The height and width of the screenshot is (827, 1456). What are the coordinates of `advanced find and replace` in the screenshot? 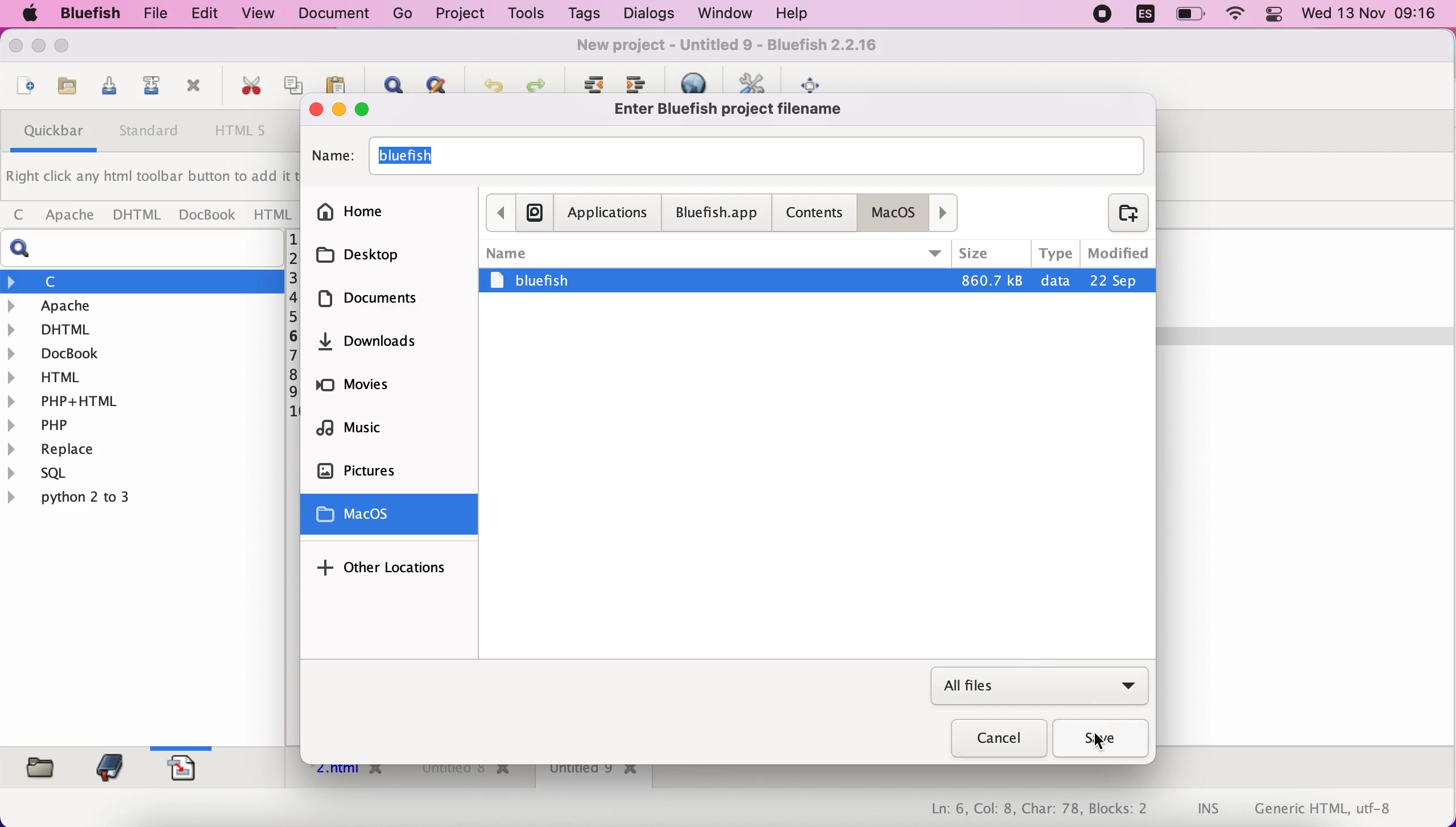 It's located at (436, 83).